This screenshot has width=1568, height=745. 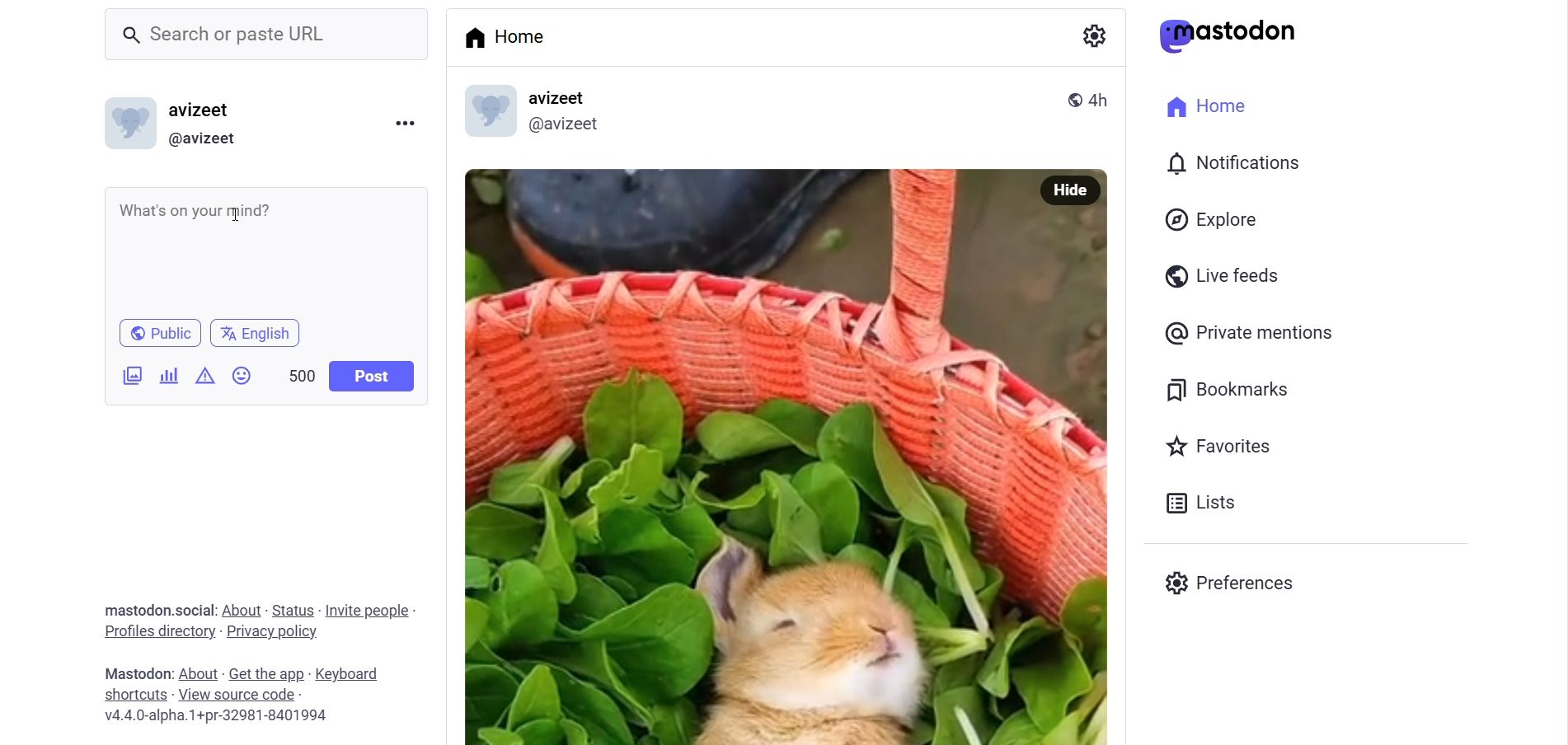 I want to click on v4.4.0-alpha.1+pr-32981-8401994, so click(x=206, y=715).